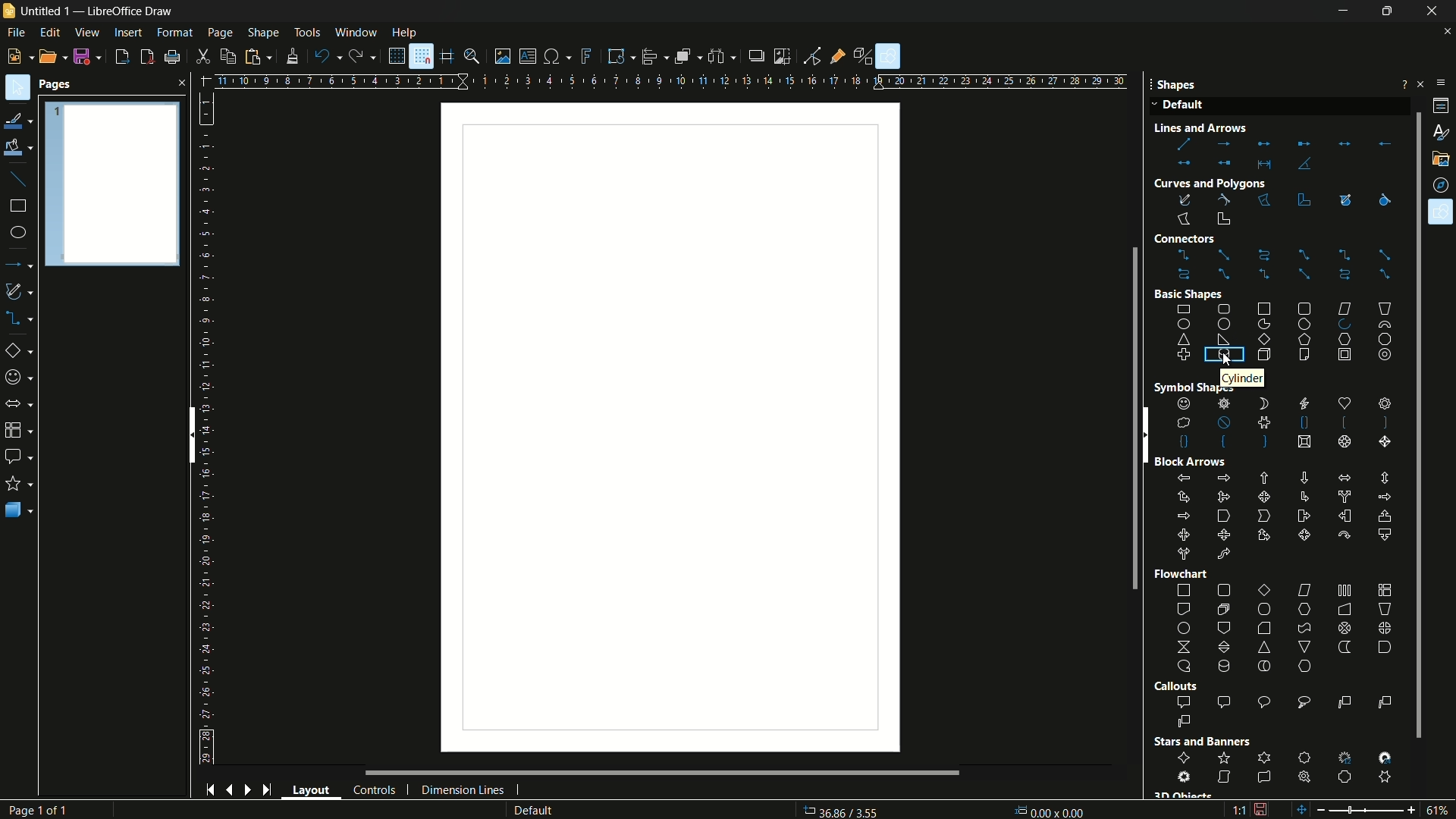 The width and height of the screenshot is (1456, 819). I want to click on ellipse, so click(17, 233).